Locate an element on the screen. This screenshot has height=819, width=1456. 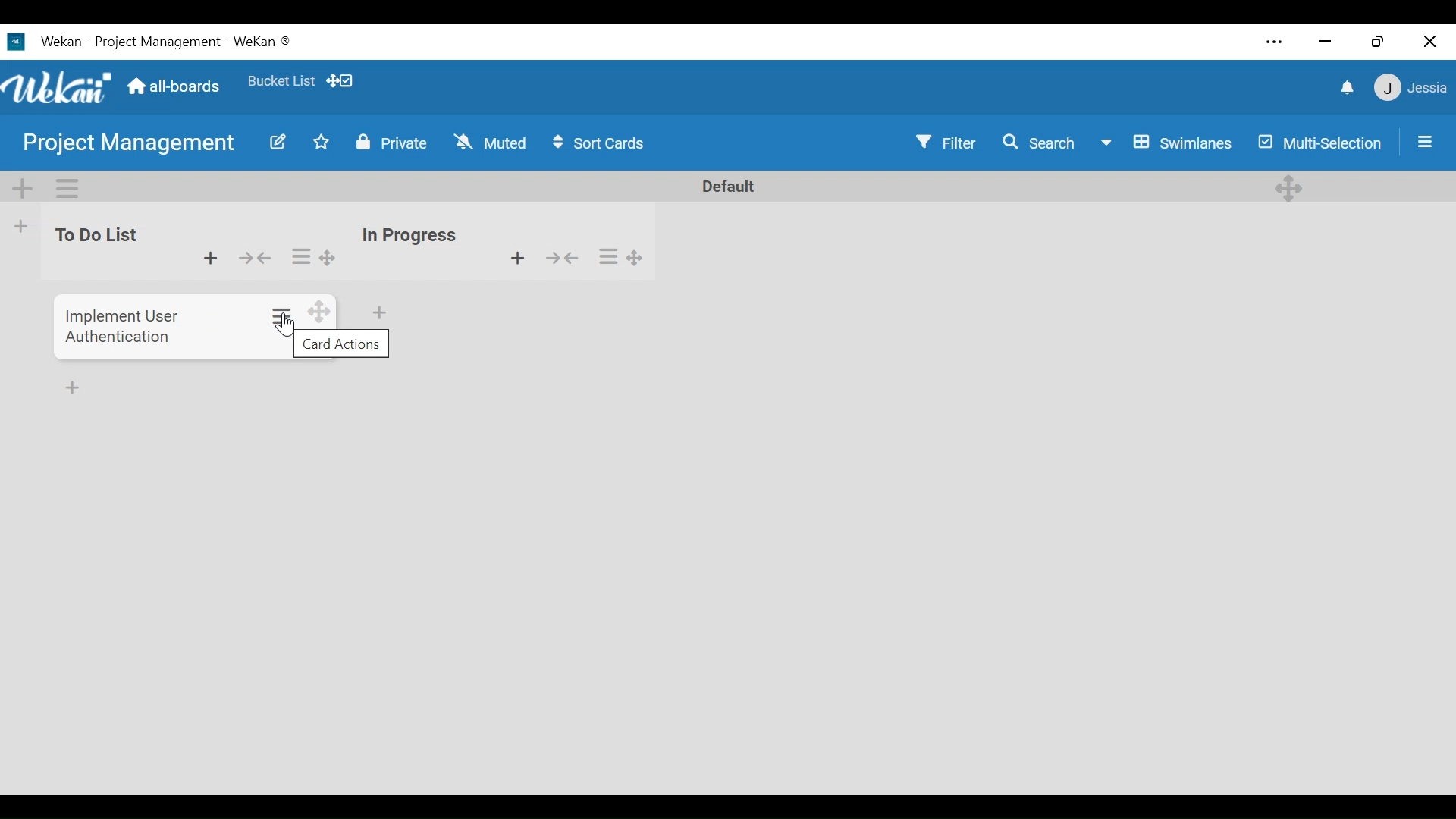
add card to the top of the list is located at coordinates (516, 259).